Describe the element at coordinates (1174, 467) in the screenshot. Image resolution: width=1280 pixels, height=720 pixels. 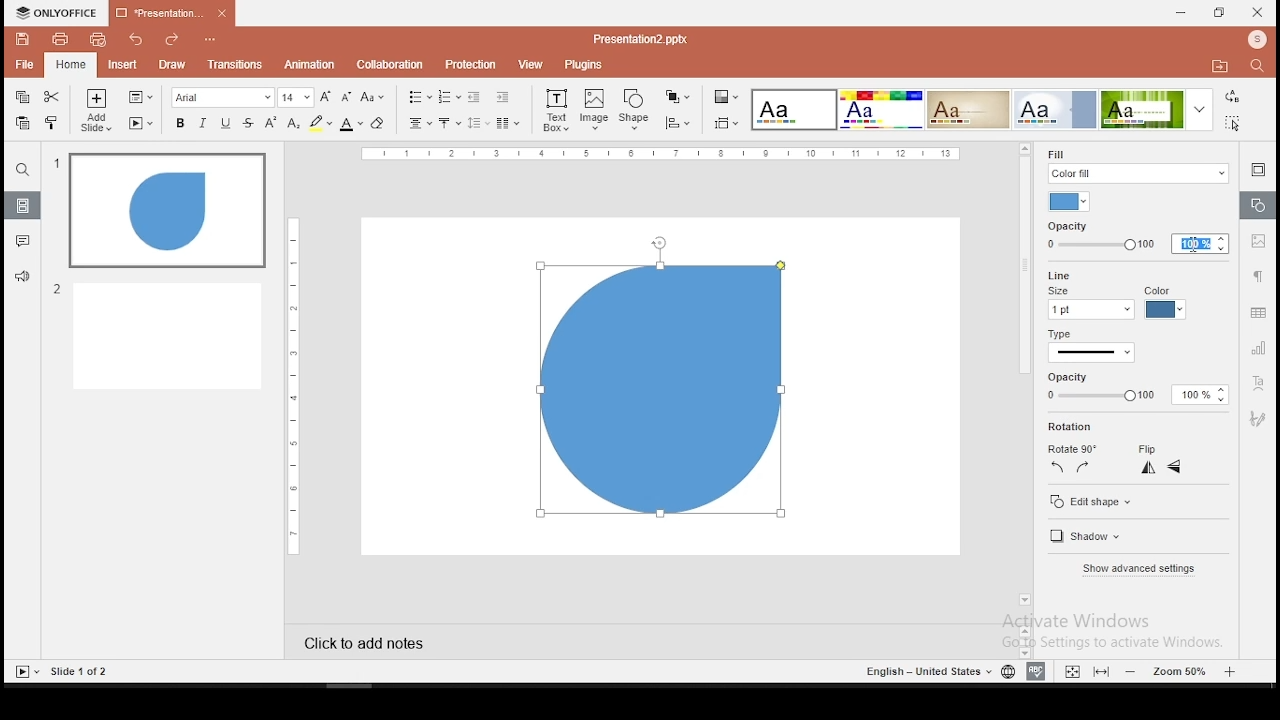
I see `flip horizontal` at that location.